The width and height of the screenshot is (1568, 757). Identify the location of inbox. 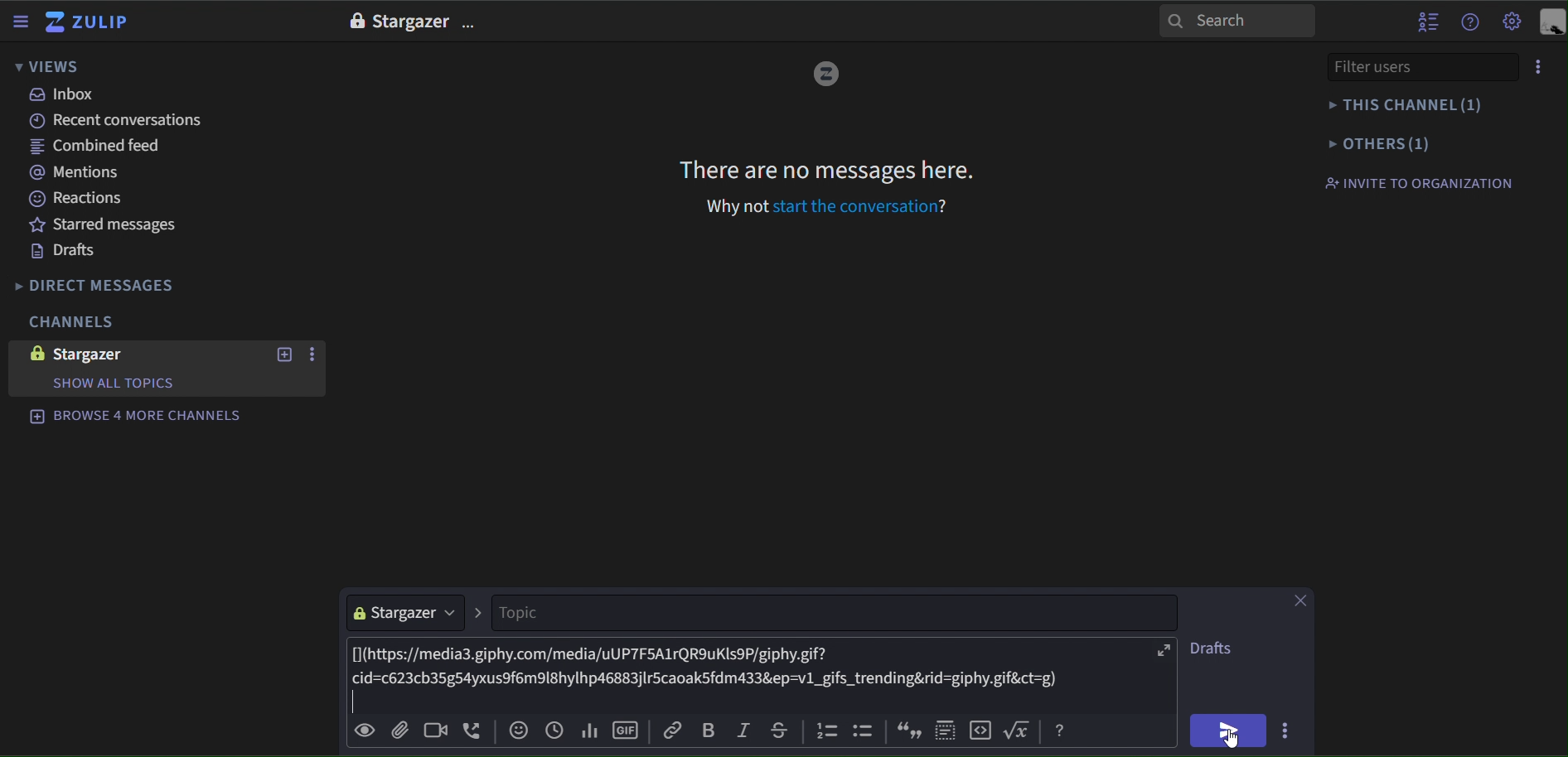
(64, 94).